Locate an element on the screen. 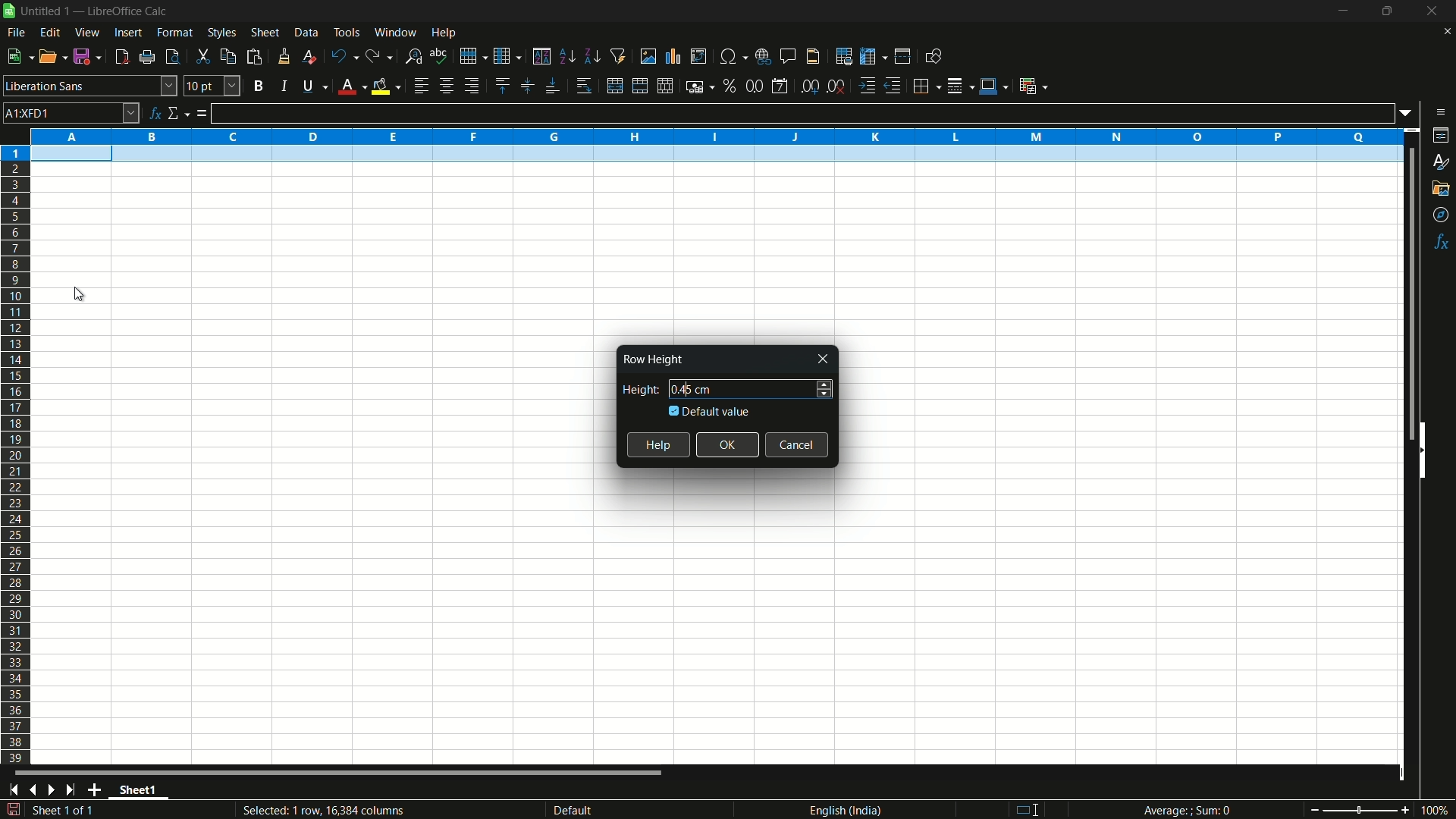 This screenshot has height=819, width=1456. function wizard is located at coordinates (155, 113).